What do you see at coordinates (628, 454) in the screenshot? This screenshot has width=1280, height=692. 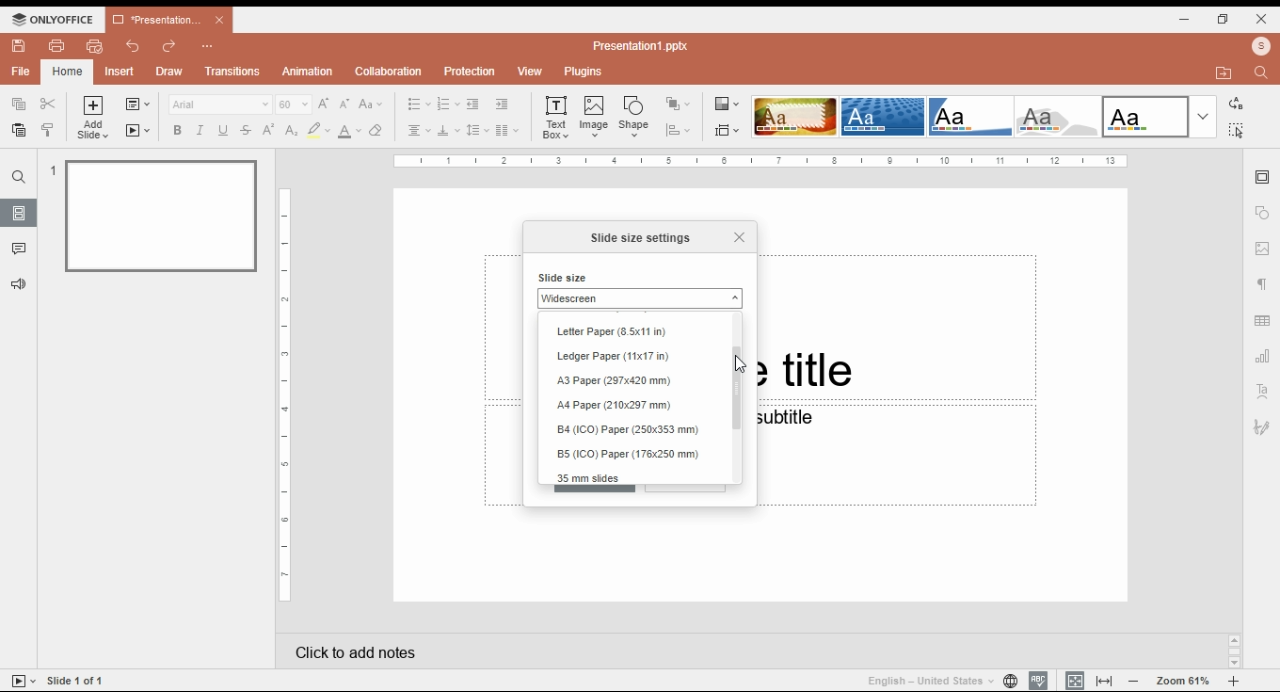 I see `B5 (ICO) Paper (176x250 mm)` at bounding box center [628, 454].